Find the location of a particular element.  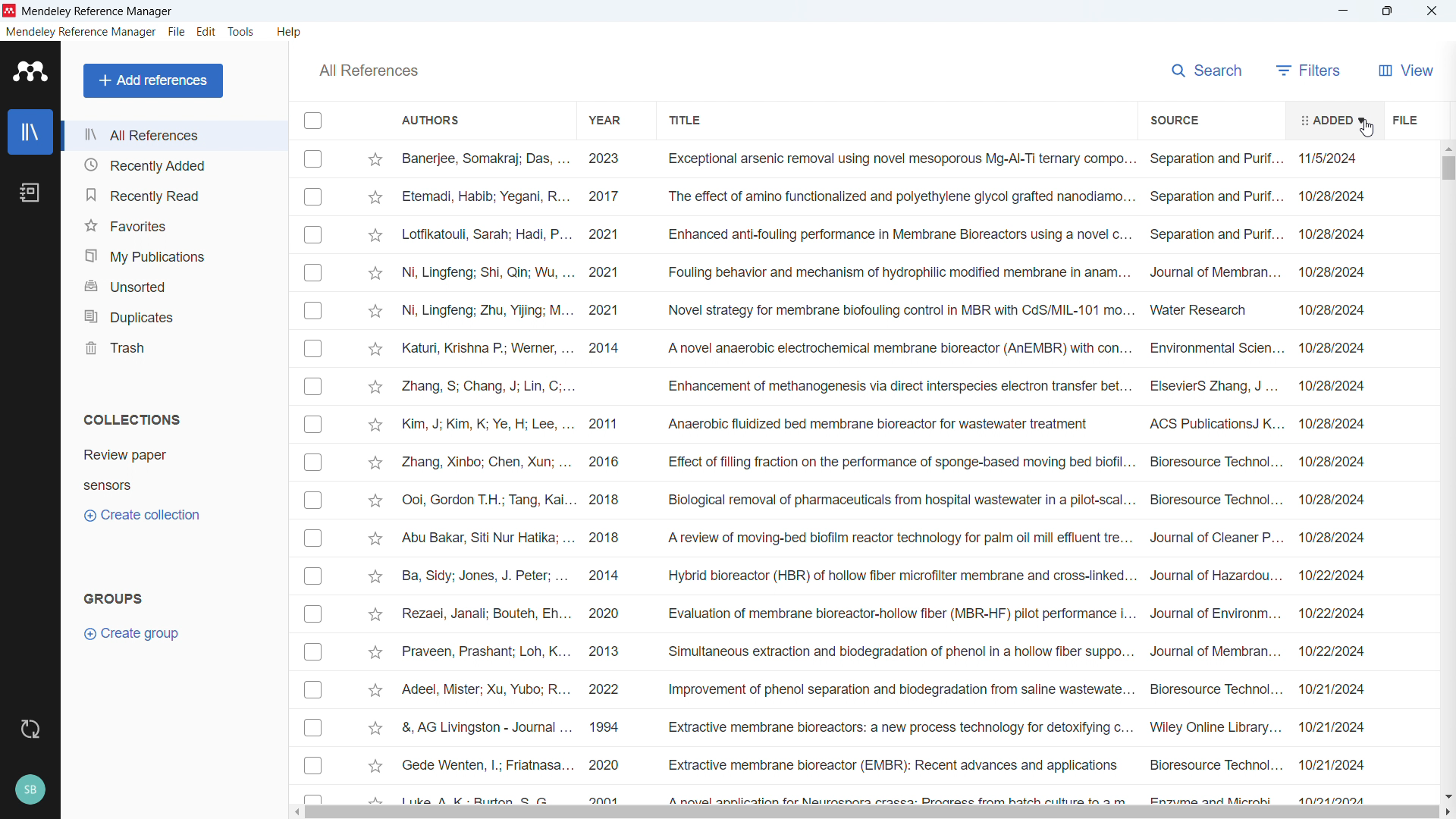

Sort by source  is located at coordinates (1174, 119).